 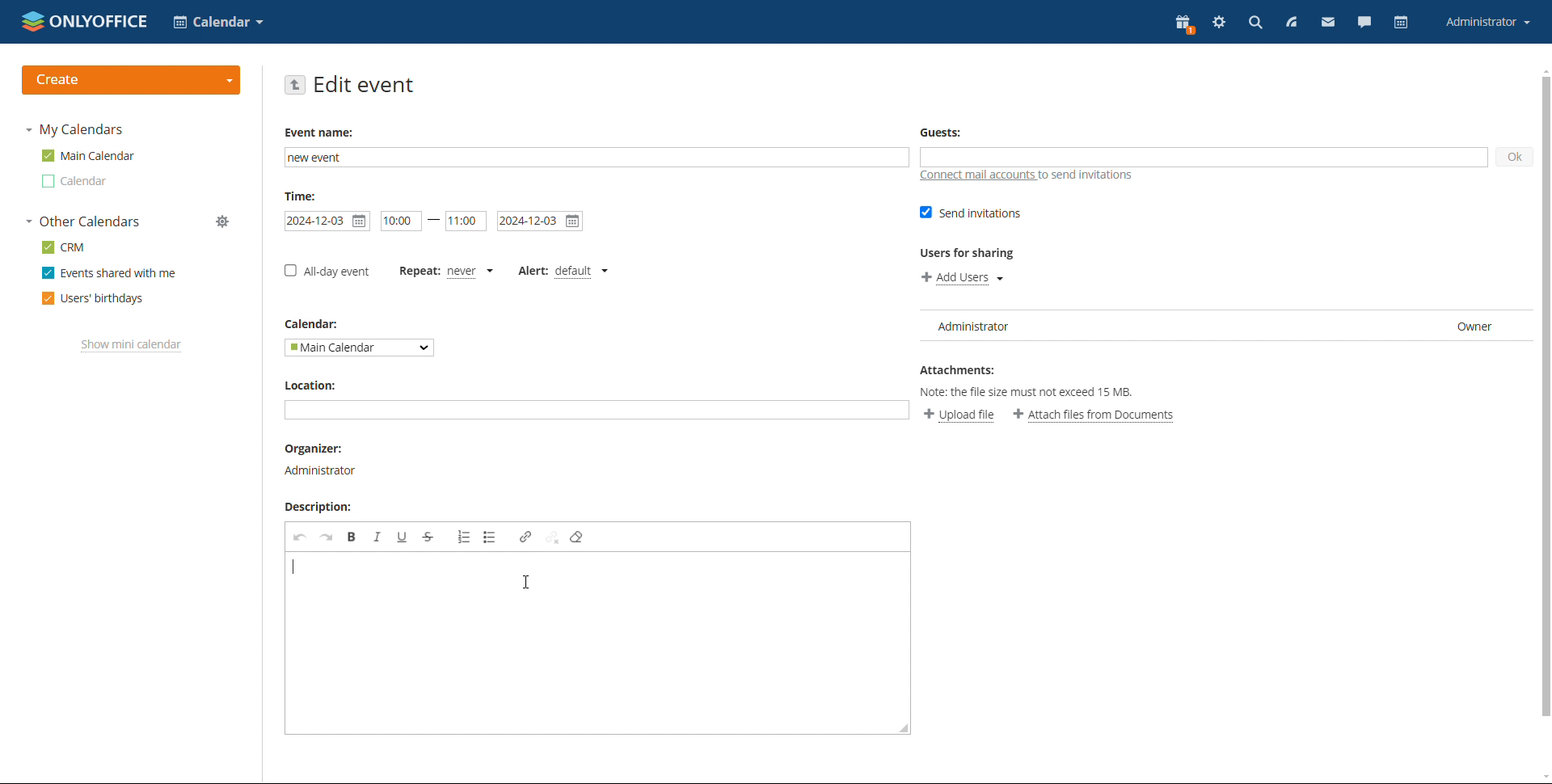 I want to click on attach files from documents, so click(x=1094, y=415).